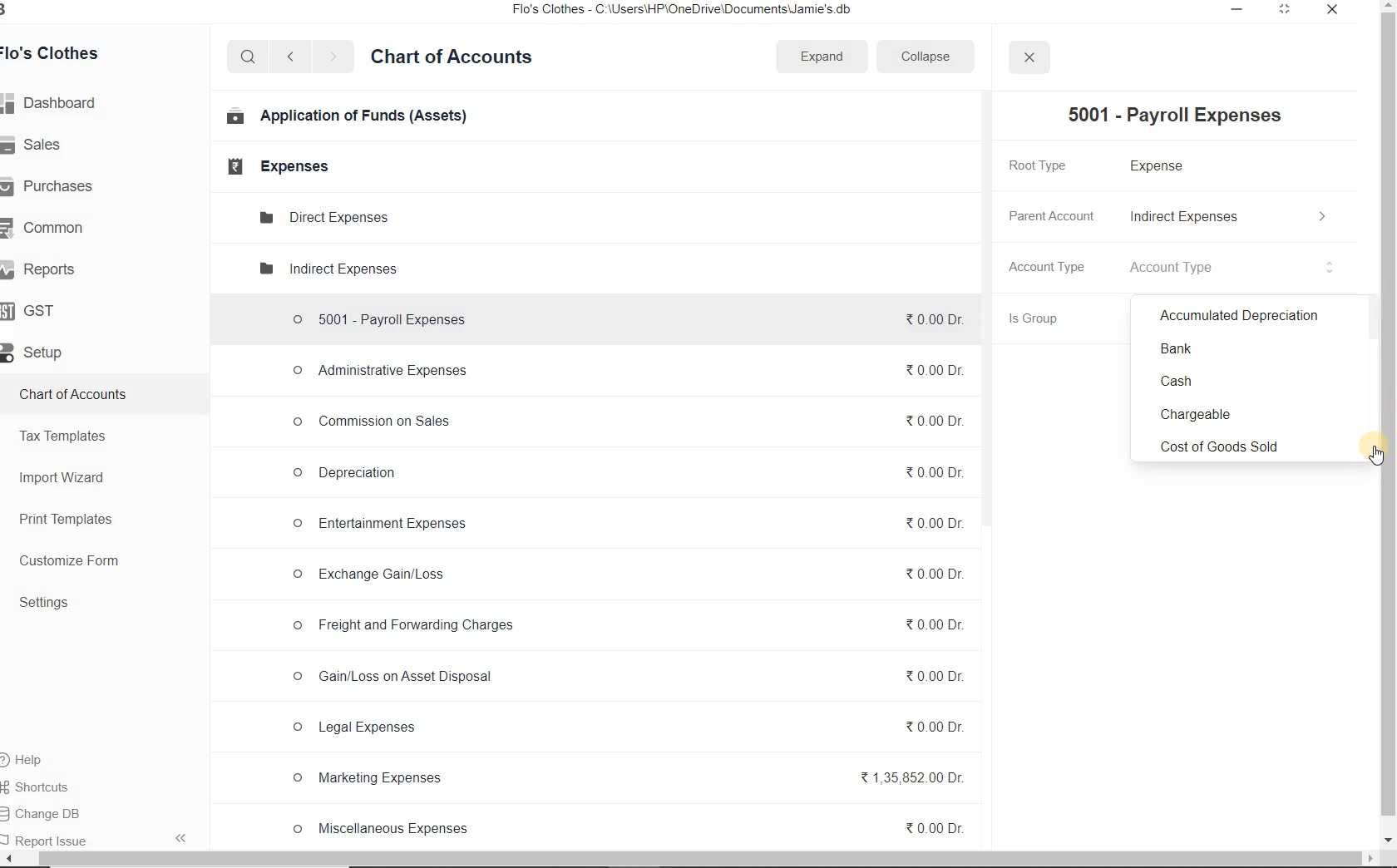 The width and height of the screenshot is (1397, 868). I want to click on Direct Expense, so click(323, 216).